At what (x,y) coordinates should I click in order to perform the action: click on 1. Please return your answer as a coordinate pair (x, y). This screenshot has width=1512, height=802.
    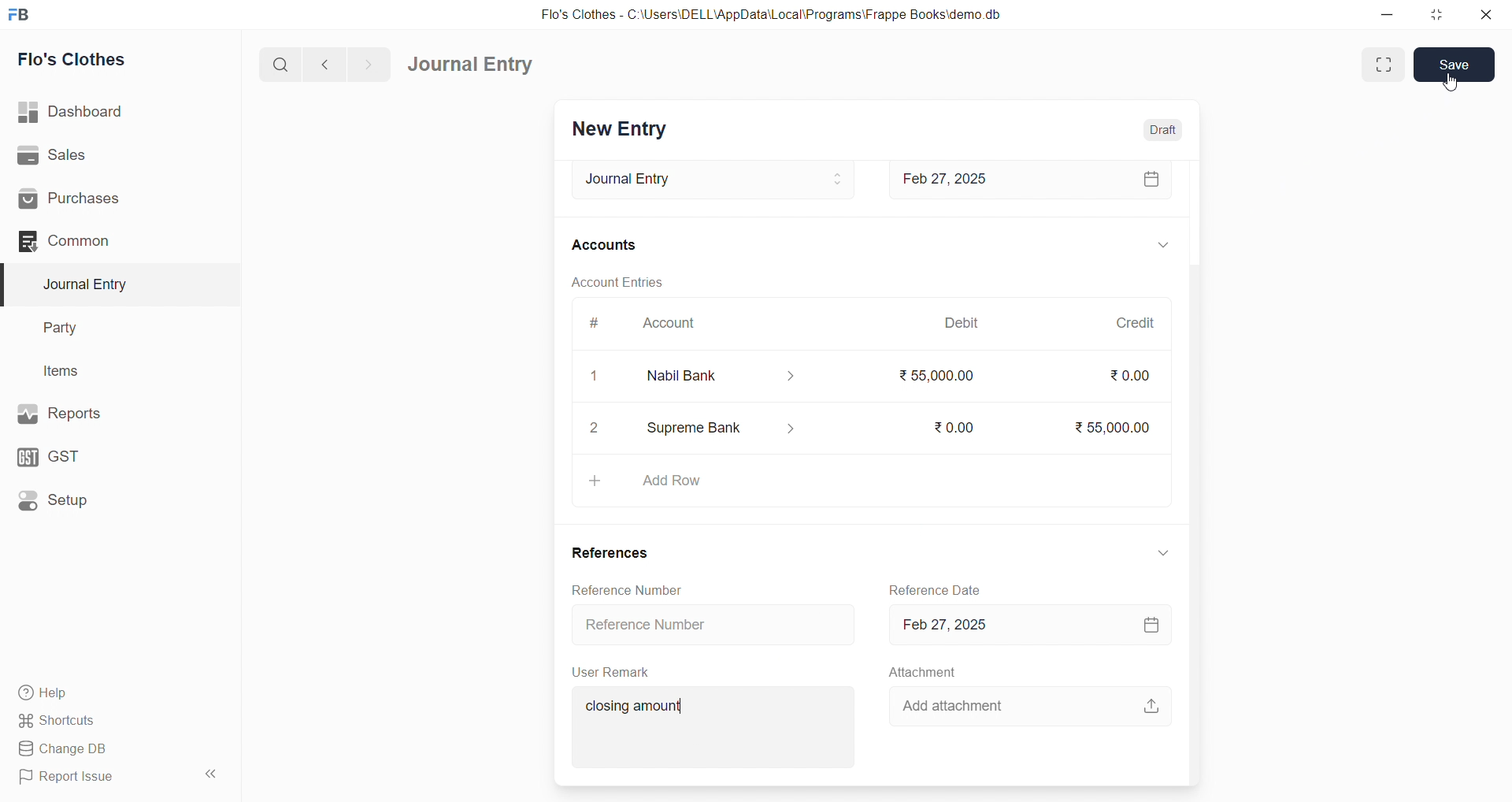
    Looking at the image, I should click on (596, 377).